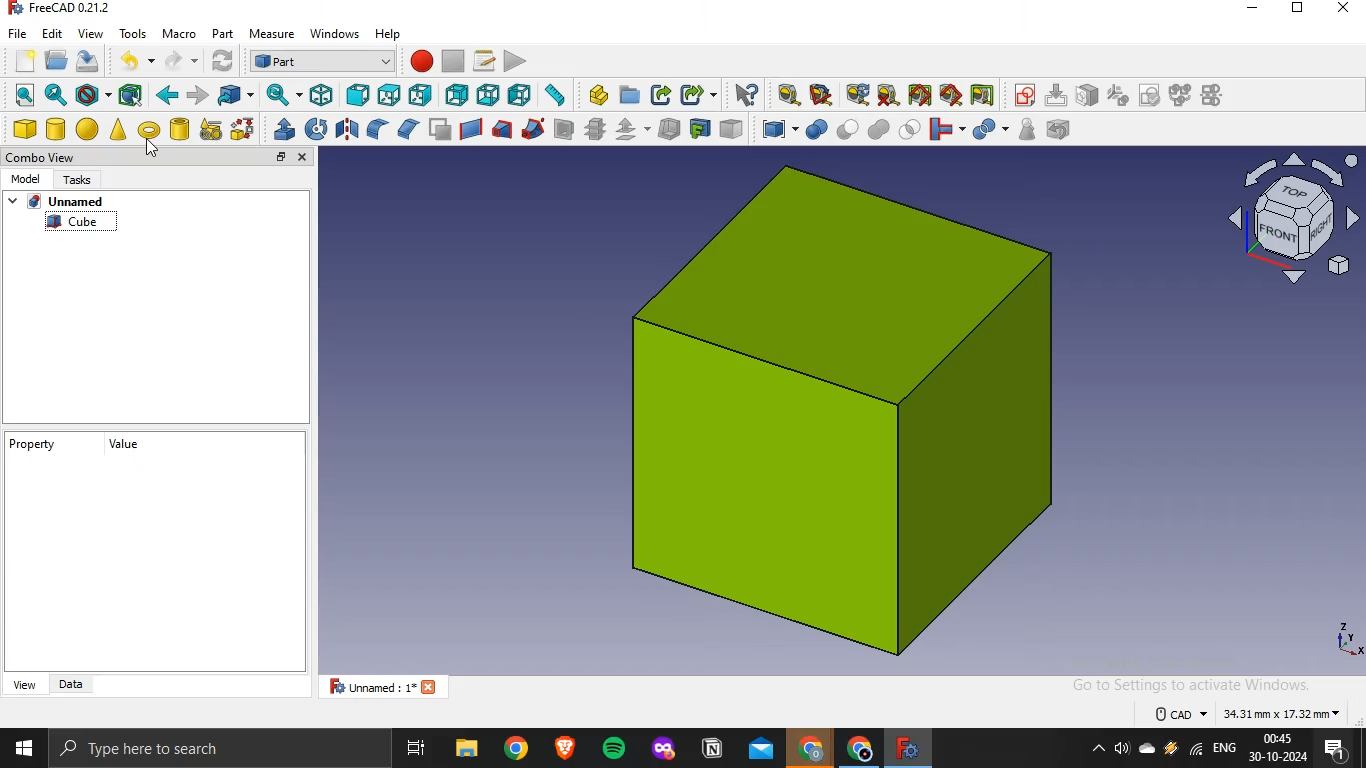 This screenshot has height=768, width=1366. What do you see at coordinates (389, 687) in the screenshot?
I see `unnamed` at bounding box center [389, 687].